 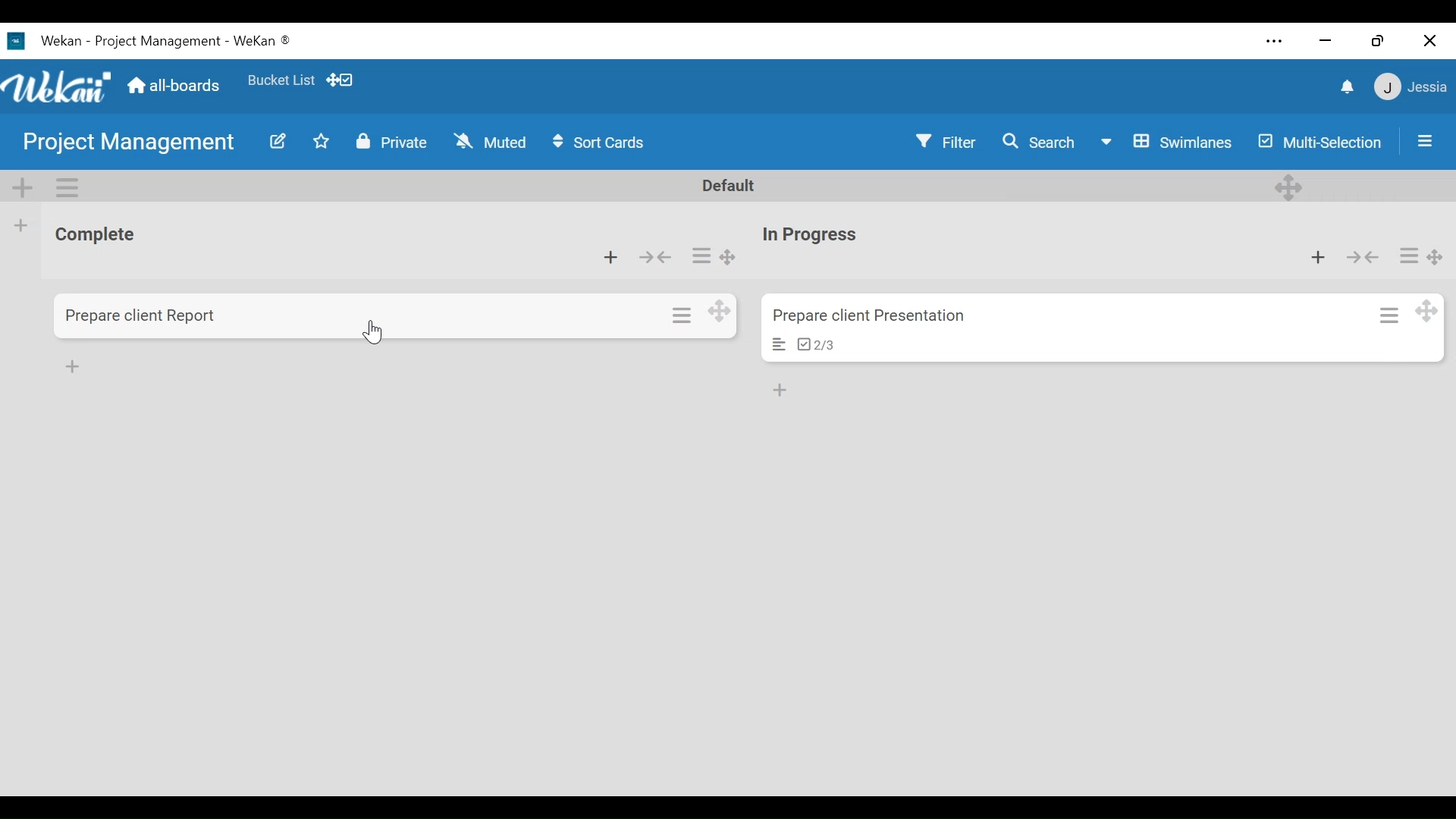 I want to click on Desktop drag handle, so click(x=1436, y=257).